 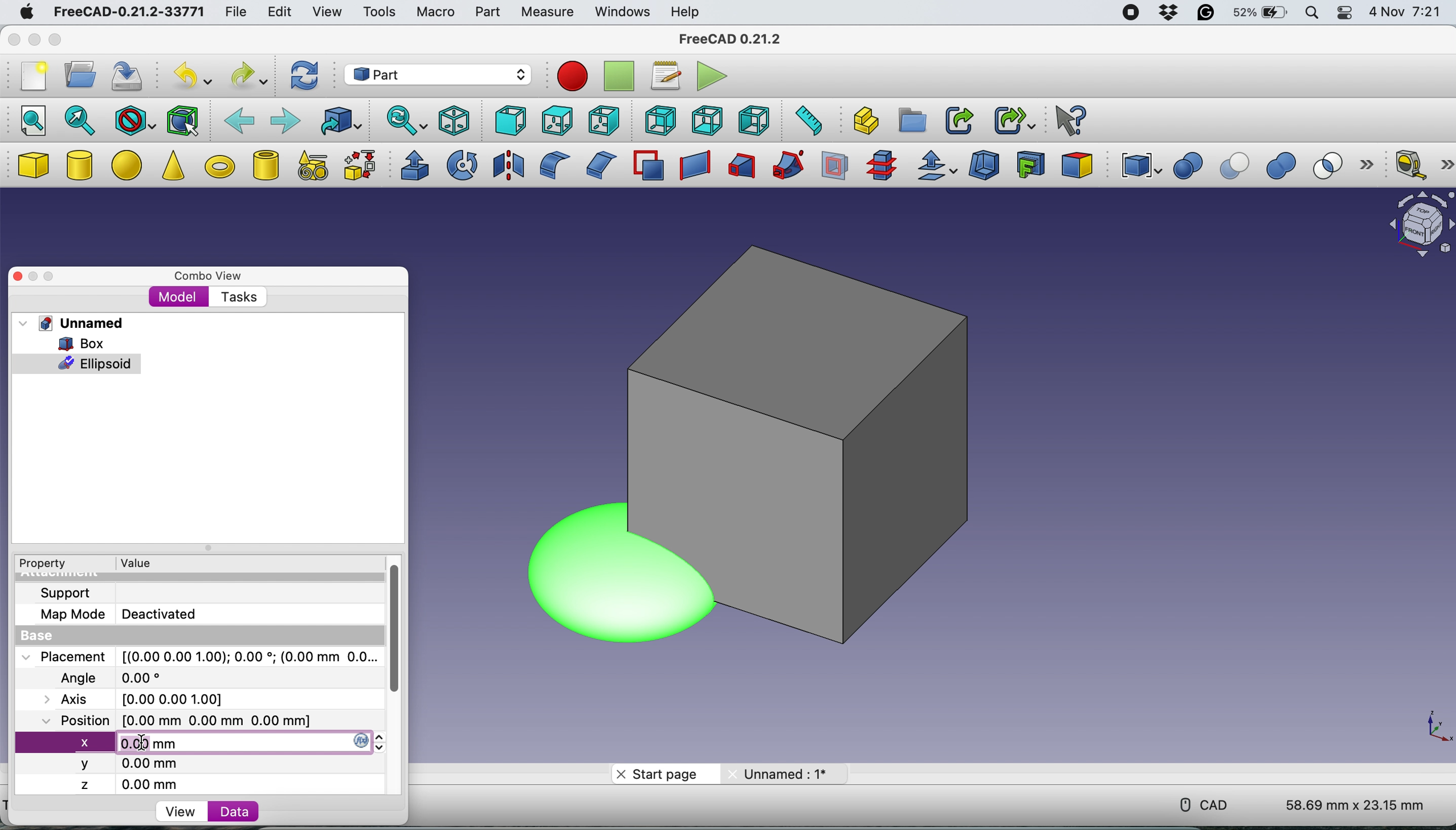 What do you see at coordinates (18, 276) in the screenshot?
I see `close` at bounding box center [18, 276].